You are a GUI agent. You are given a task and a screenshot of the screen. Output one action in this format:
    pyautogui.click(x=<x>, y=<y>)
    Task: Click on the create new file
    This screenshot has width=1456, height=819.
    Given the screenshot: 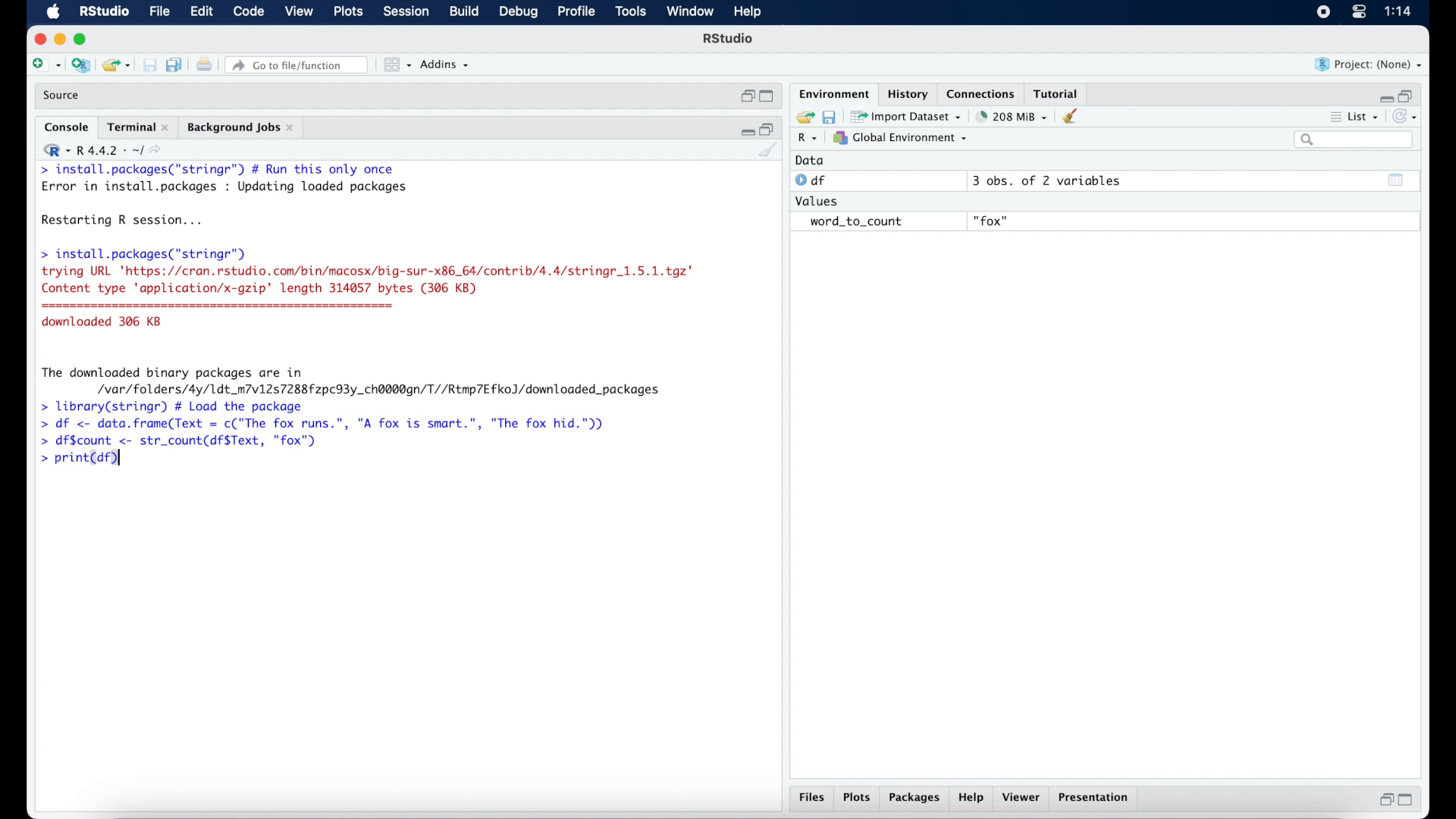 What is the action you would take?
    pyautogui.click(x=45, y=66)
    